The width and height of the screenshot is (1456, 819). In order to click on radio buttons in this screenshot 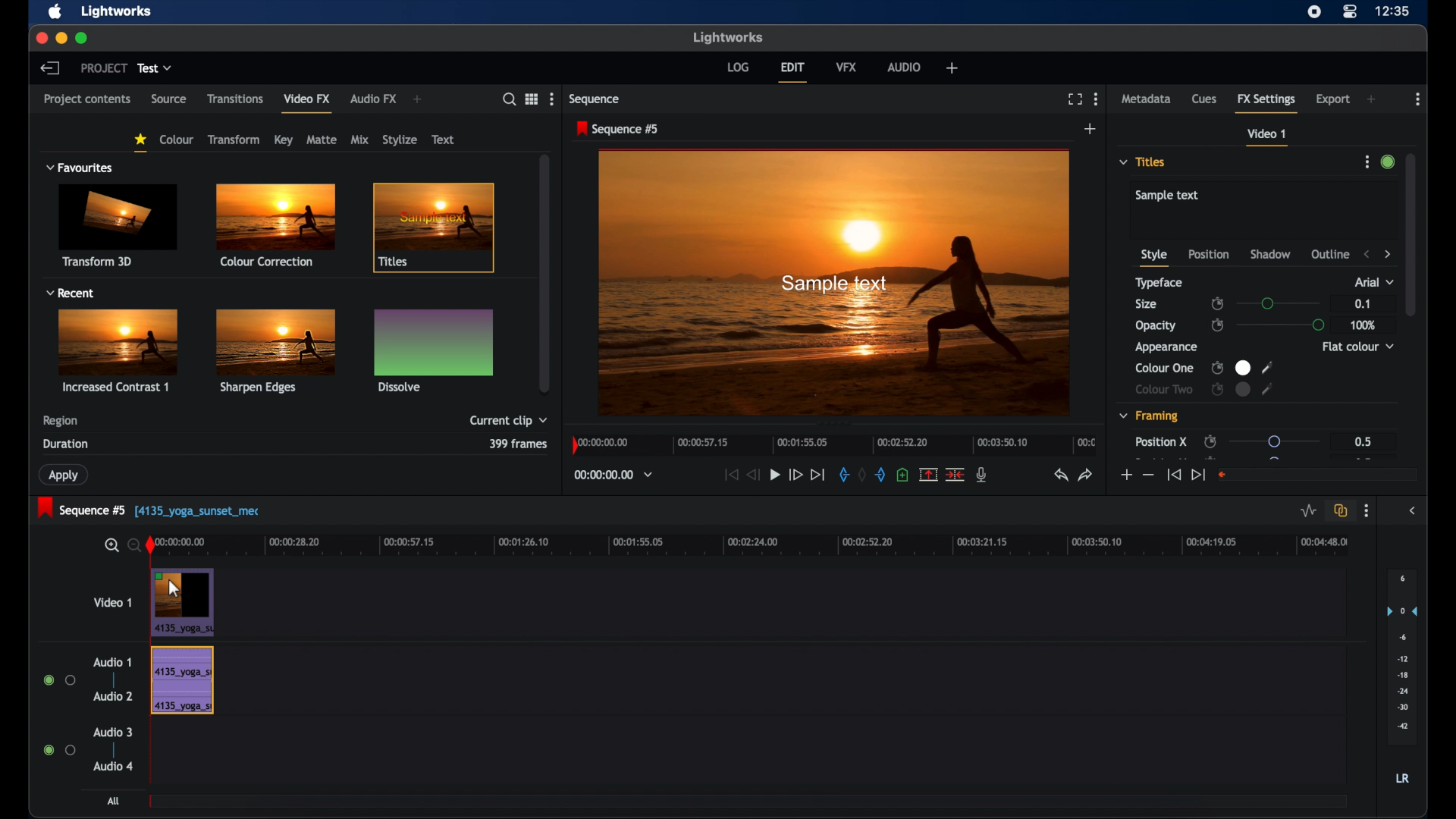, I will do `click(58, 750)`.